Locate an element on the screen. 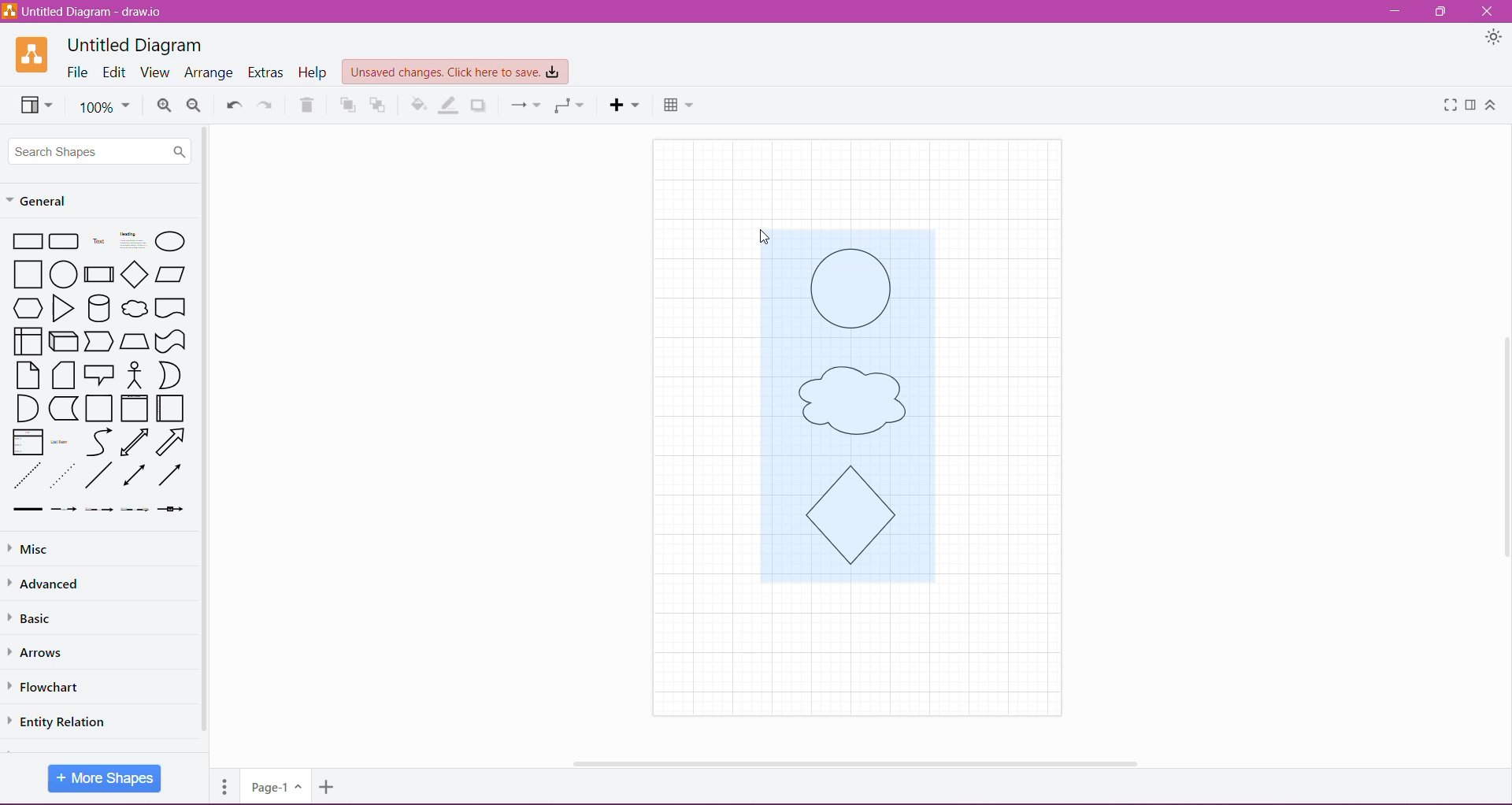 The width and height of the screenshot is (1512, 805). Extras is located at coordinates (267, 72).